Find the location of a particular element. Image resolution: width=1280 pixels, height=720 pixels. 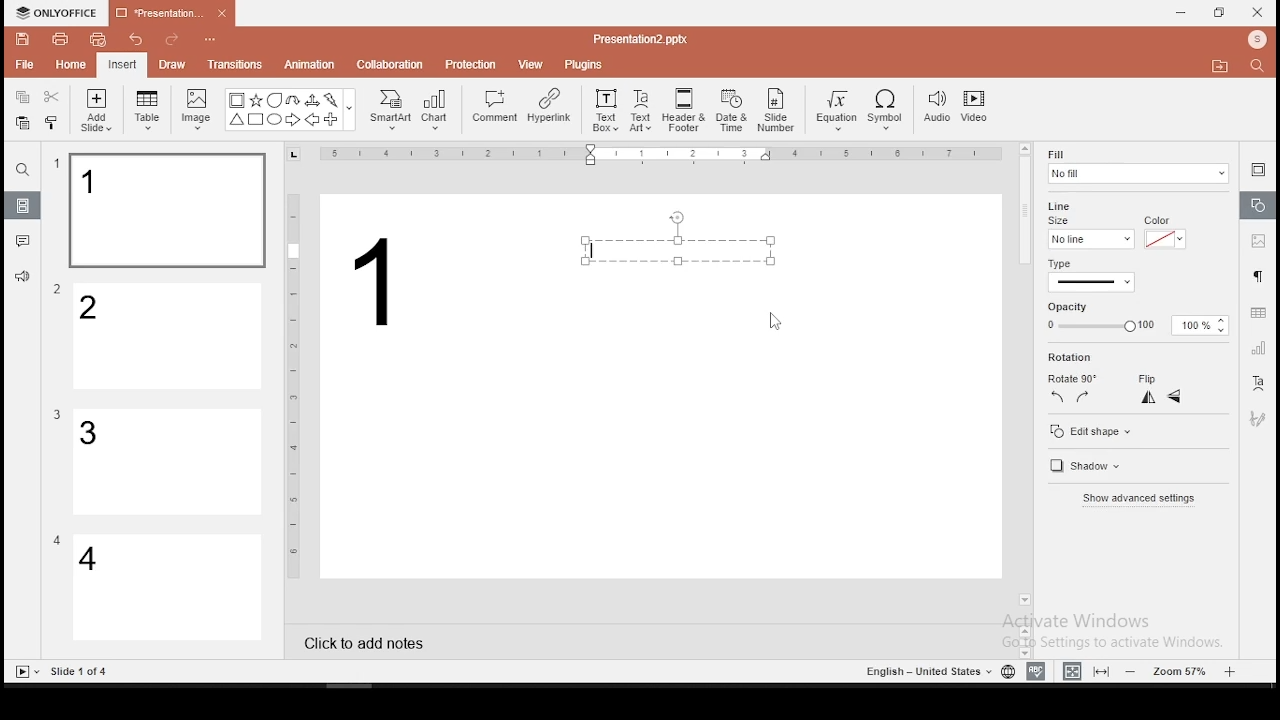

symbol is located at coordinates (885, 111).